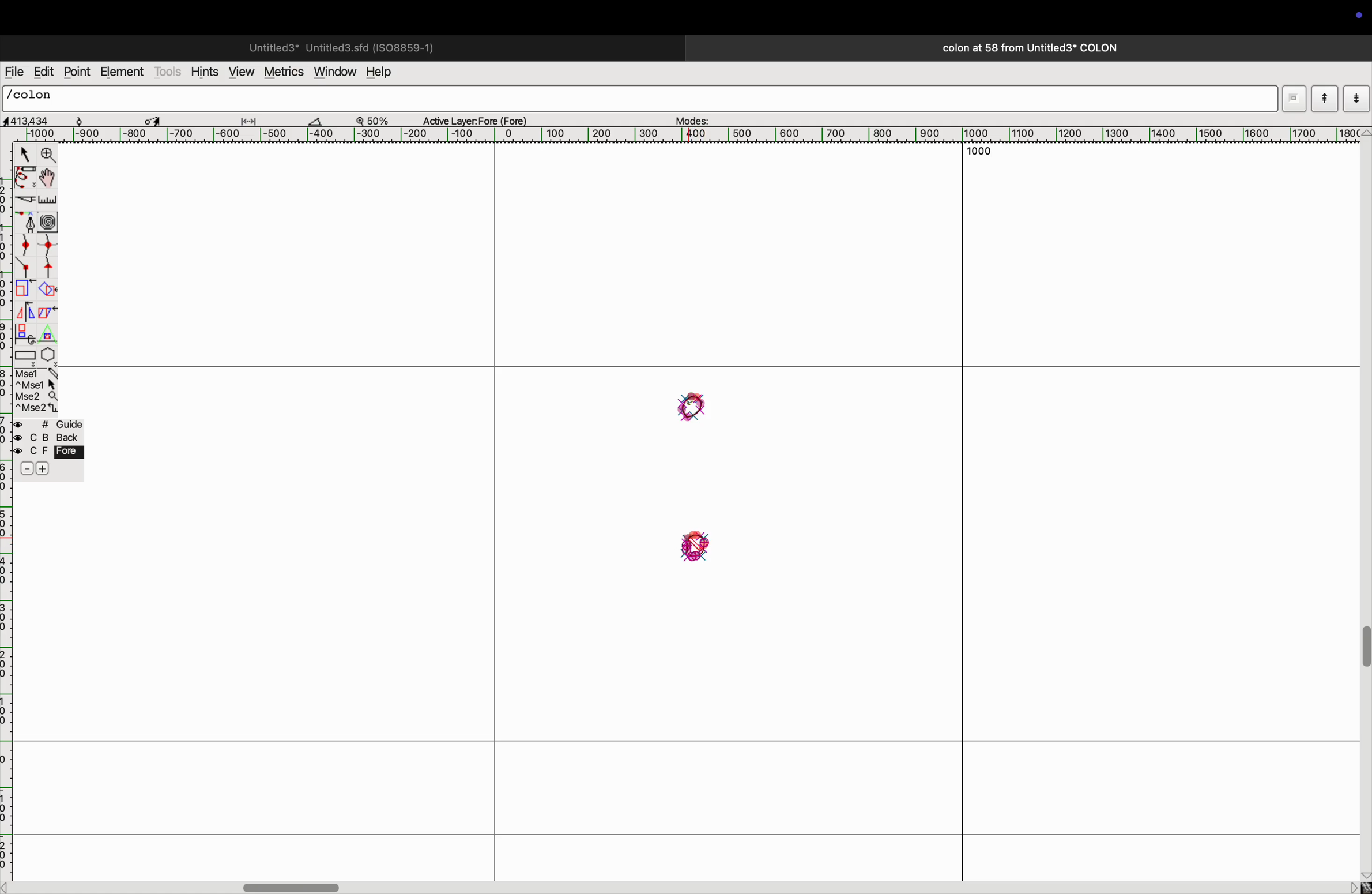  I want to click on pentagon, so click(48, 345).